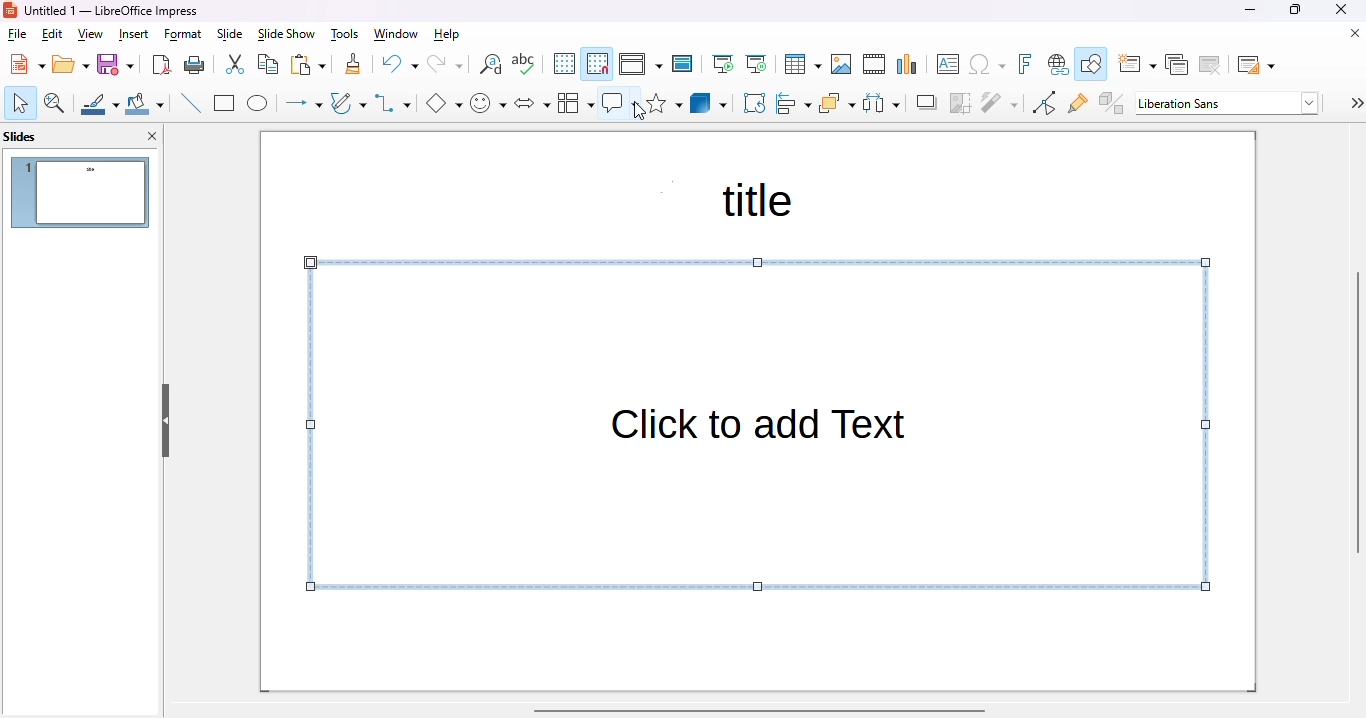 This screenshot has width=1366, height=718. Describe the element at coordinates (1112, 102) in the screenshot. I see `toggle extrusion` at that location.